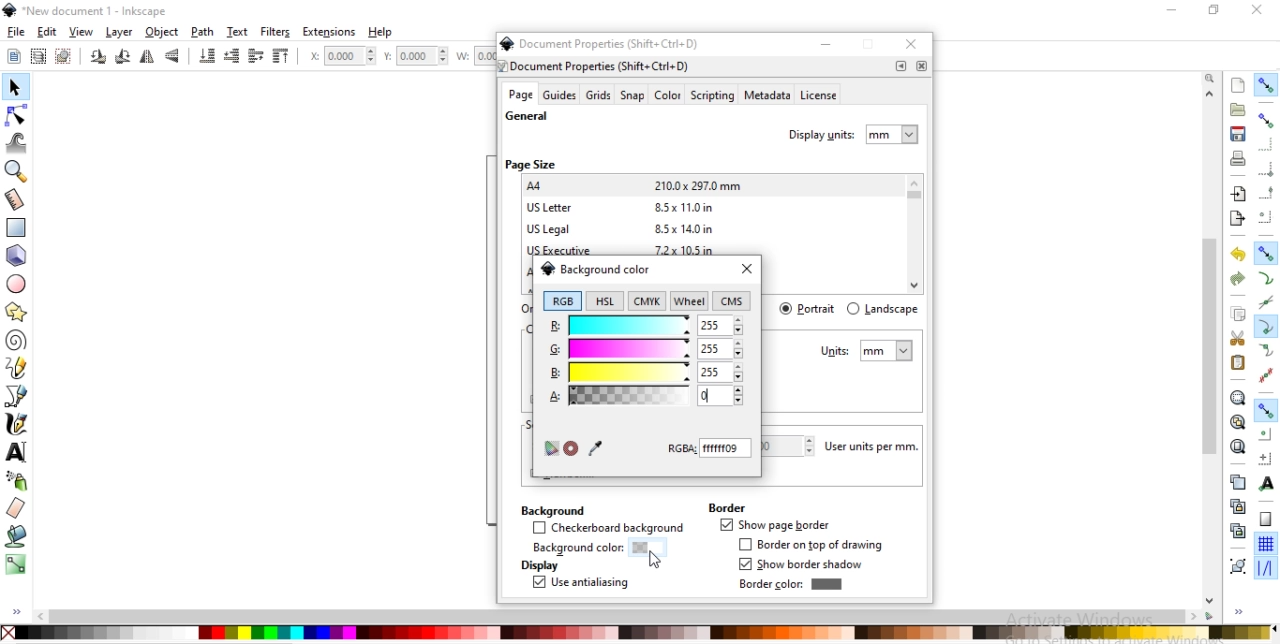 This screenshot has height=644, width=1280. What do you see at coordinates (914, 46) in the screenshot?
I see `close` at bounding box center [914, 46].